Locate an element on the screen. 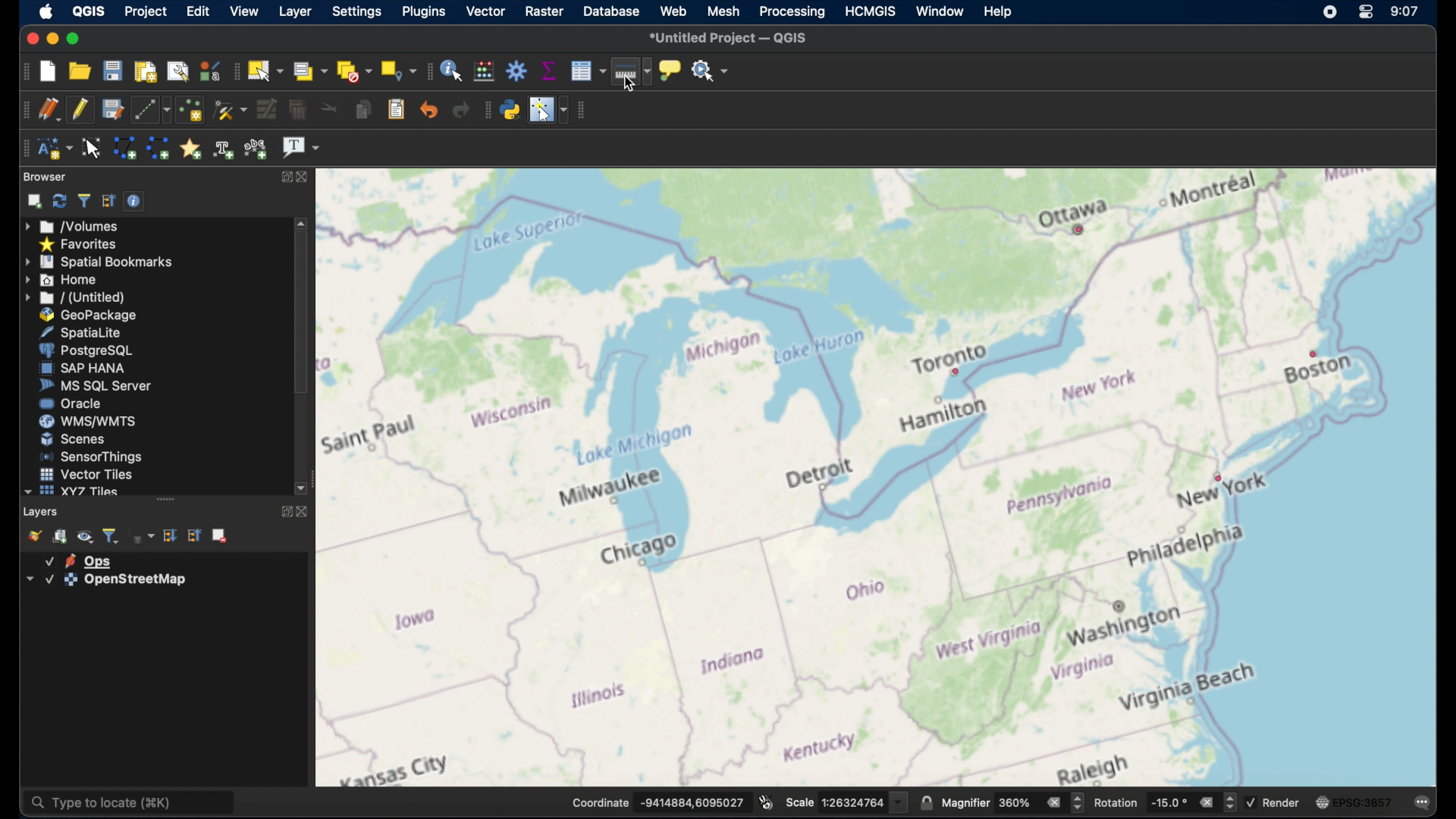  toggle extents and mouse position display is located at coordinates (766, 801).